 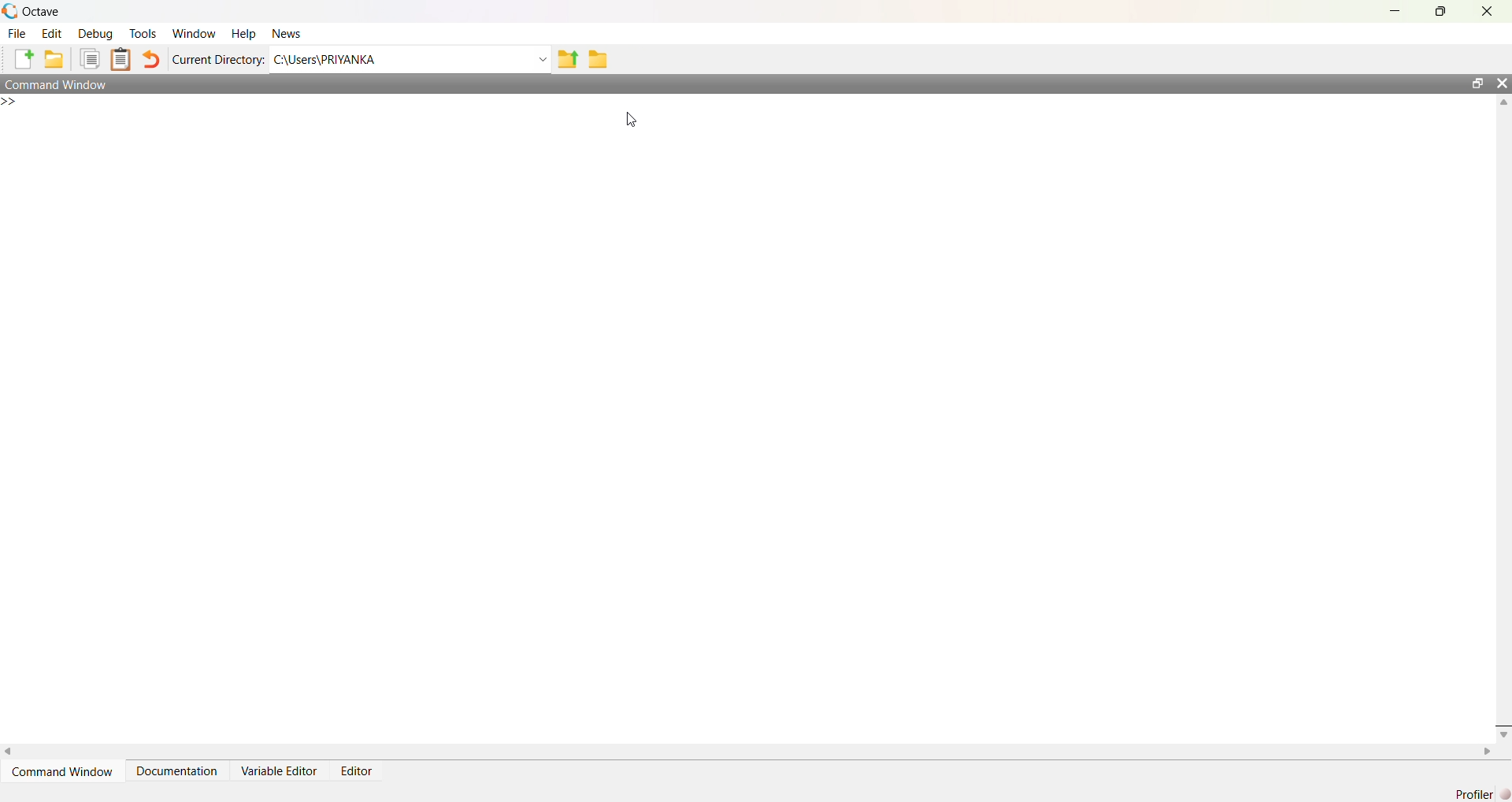 I want to click on Tools, so click(x=146, y=35).